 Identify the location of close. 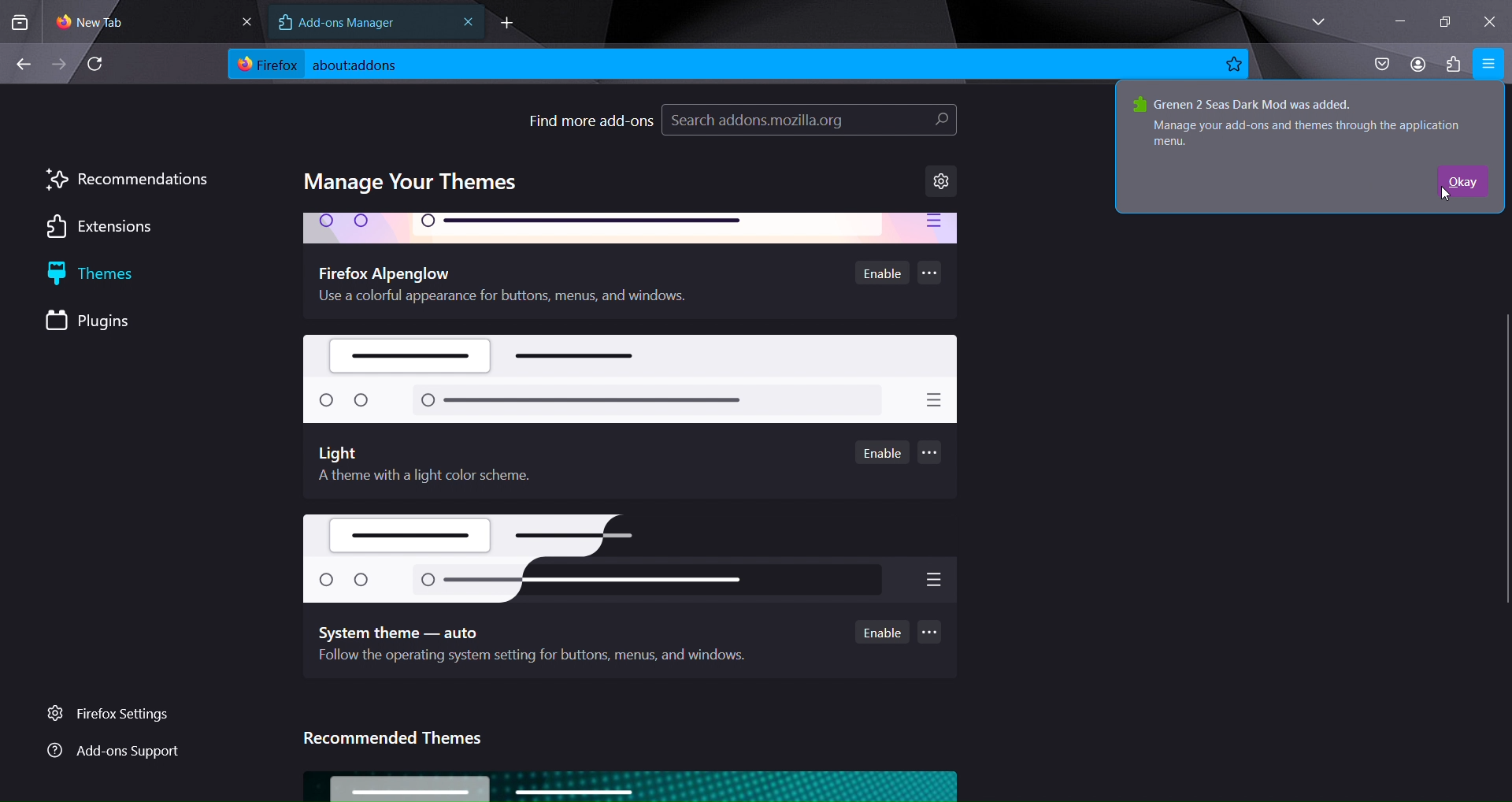
(1490, 19).